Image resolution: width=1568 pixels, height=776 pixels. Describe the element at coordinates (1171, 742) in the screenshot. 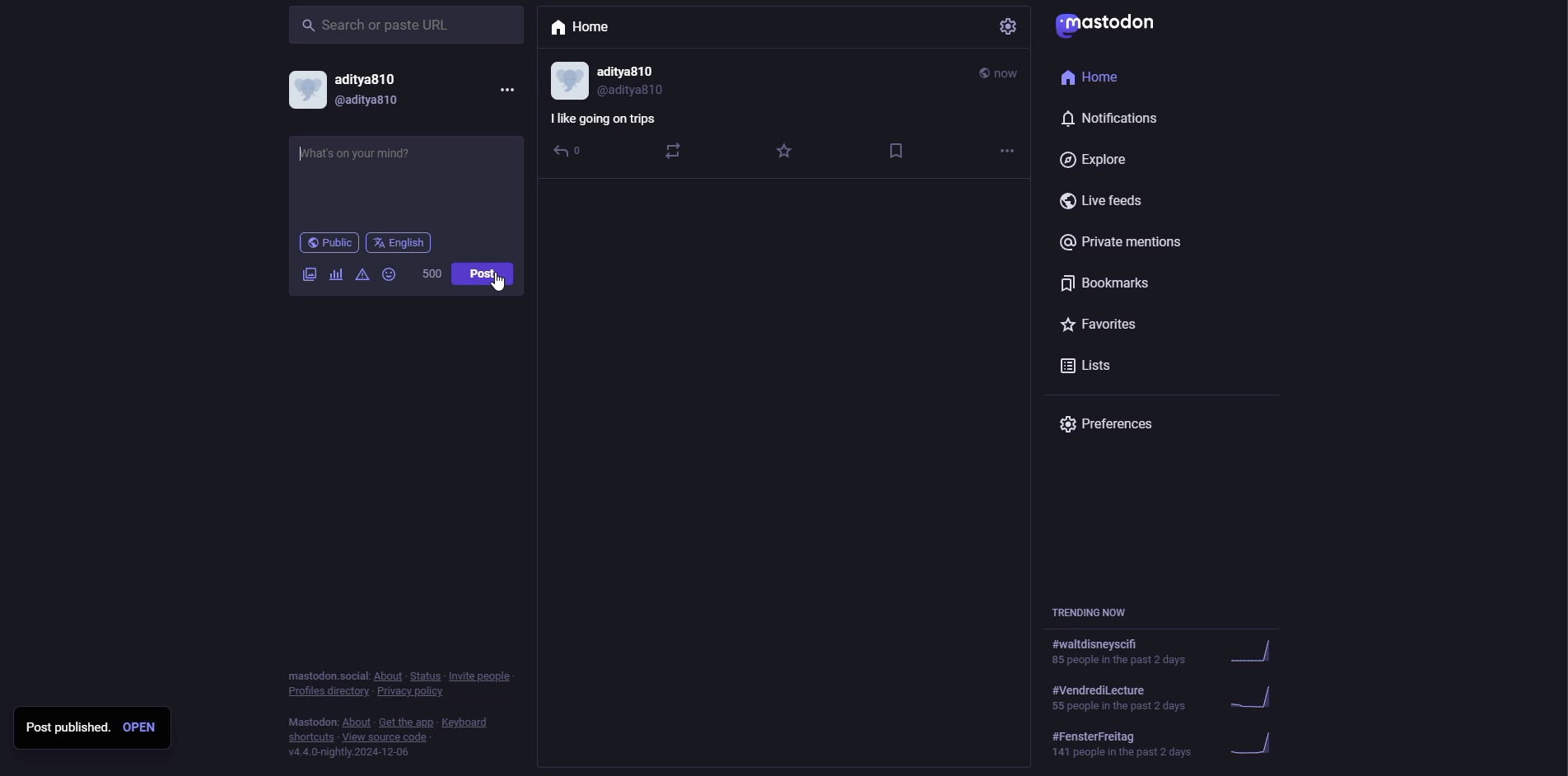

I see `trending now` at that location.